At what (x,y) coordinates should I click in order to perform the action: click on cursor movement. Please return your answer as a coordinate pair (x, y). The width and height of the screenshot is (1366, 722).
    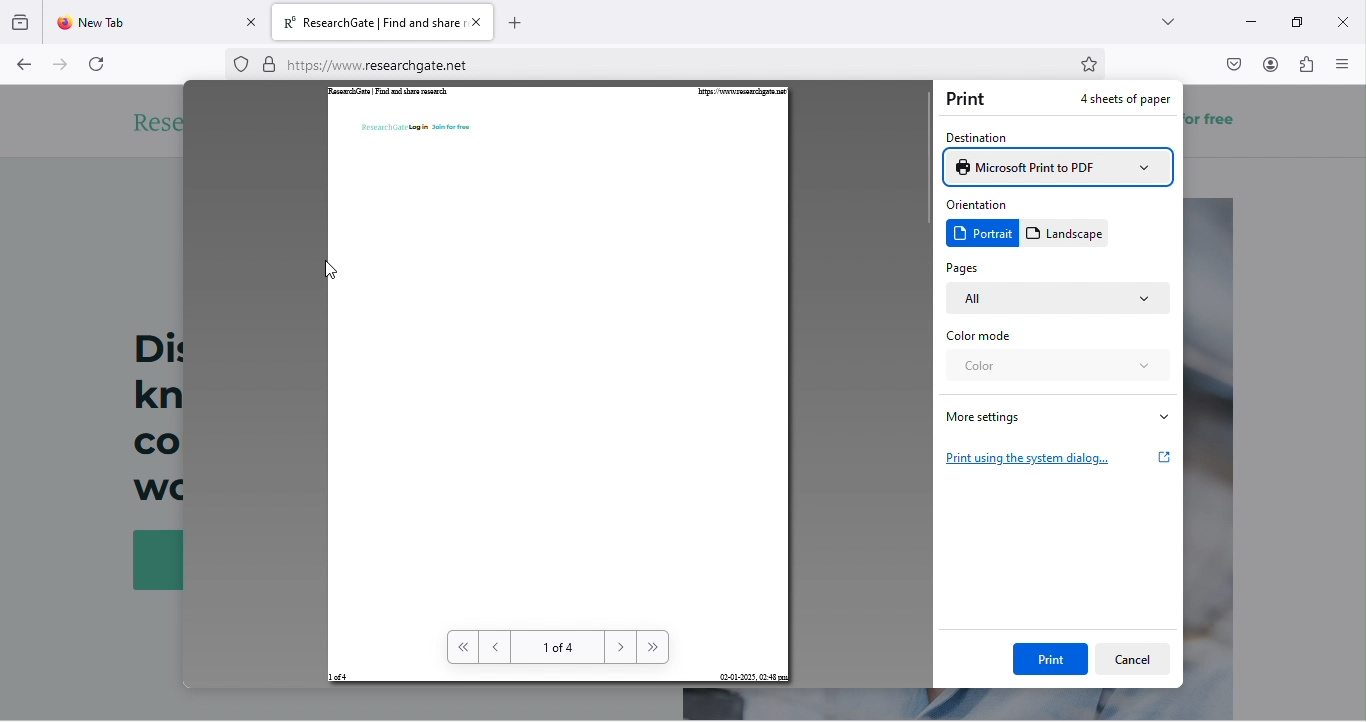
    Looking at the image, I should click on (333, 272).